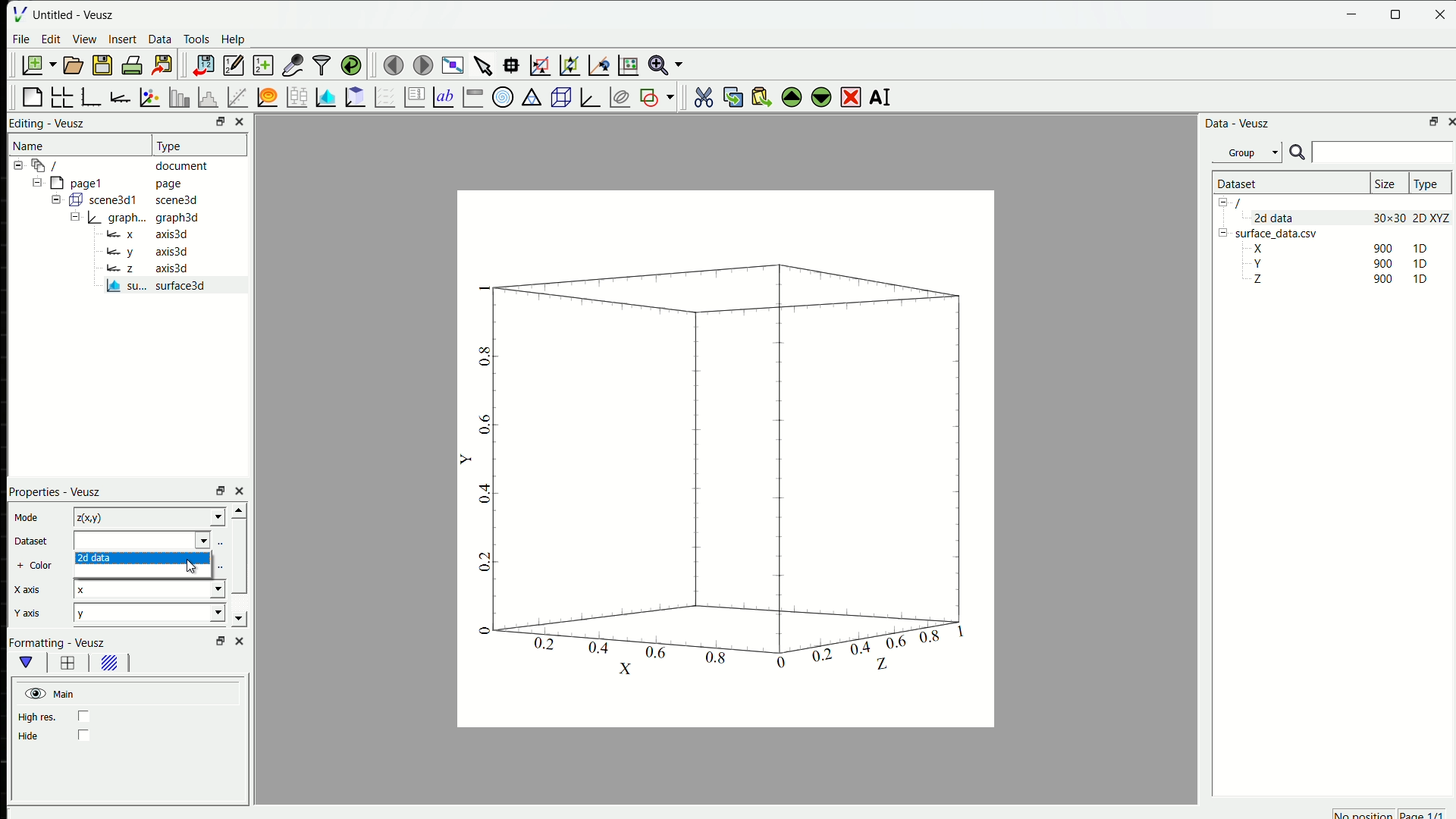 The width and height of the screenshot is (1456, 819). Describe the element at coordinates (1396, 14) in the screenshot. I see `maximise` at that location.